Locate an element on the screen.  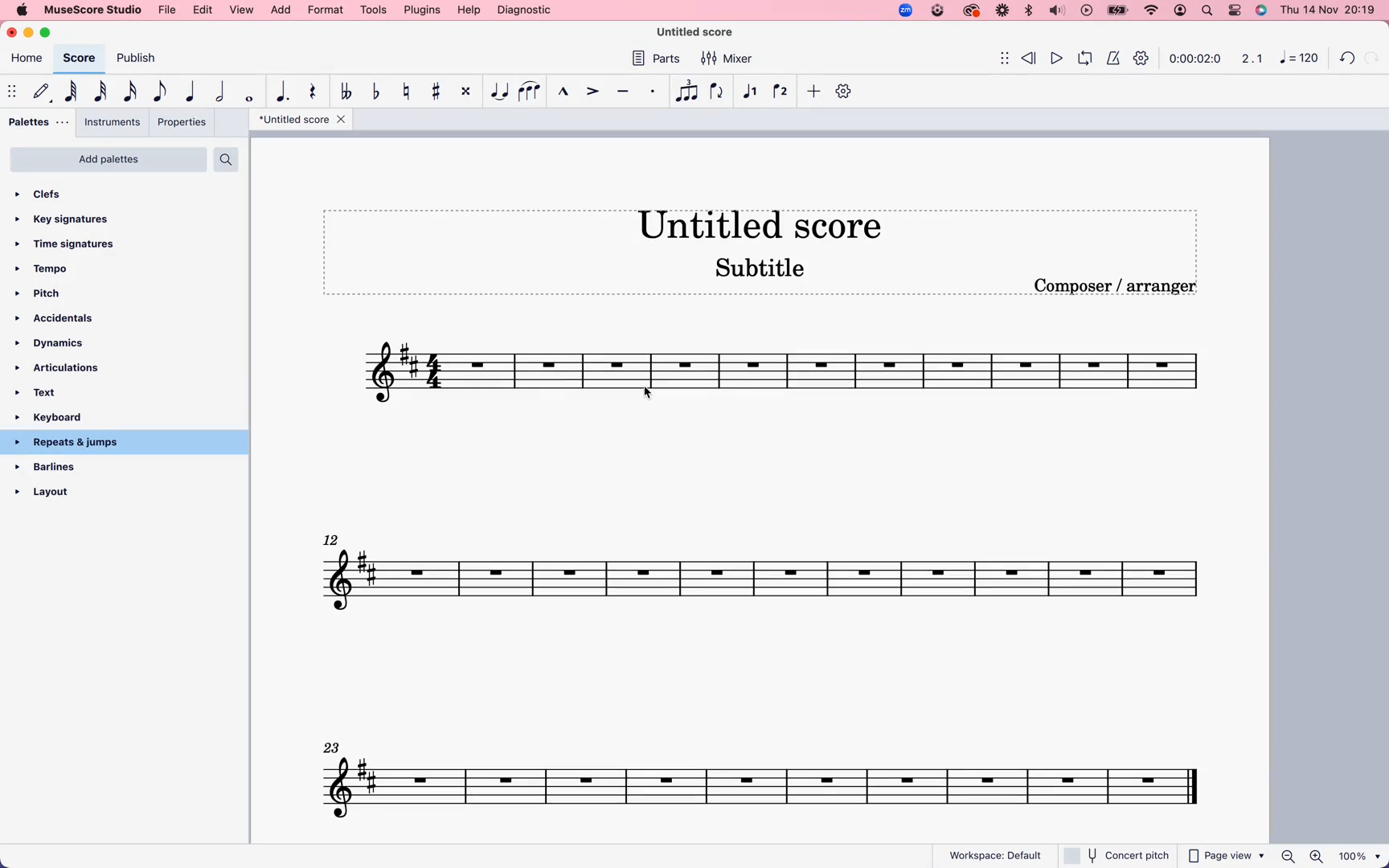
Staccato  is located at coordinates (654, 91).